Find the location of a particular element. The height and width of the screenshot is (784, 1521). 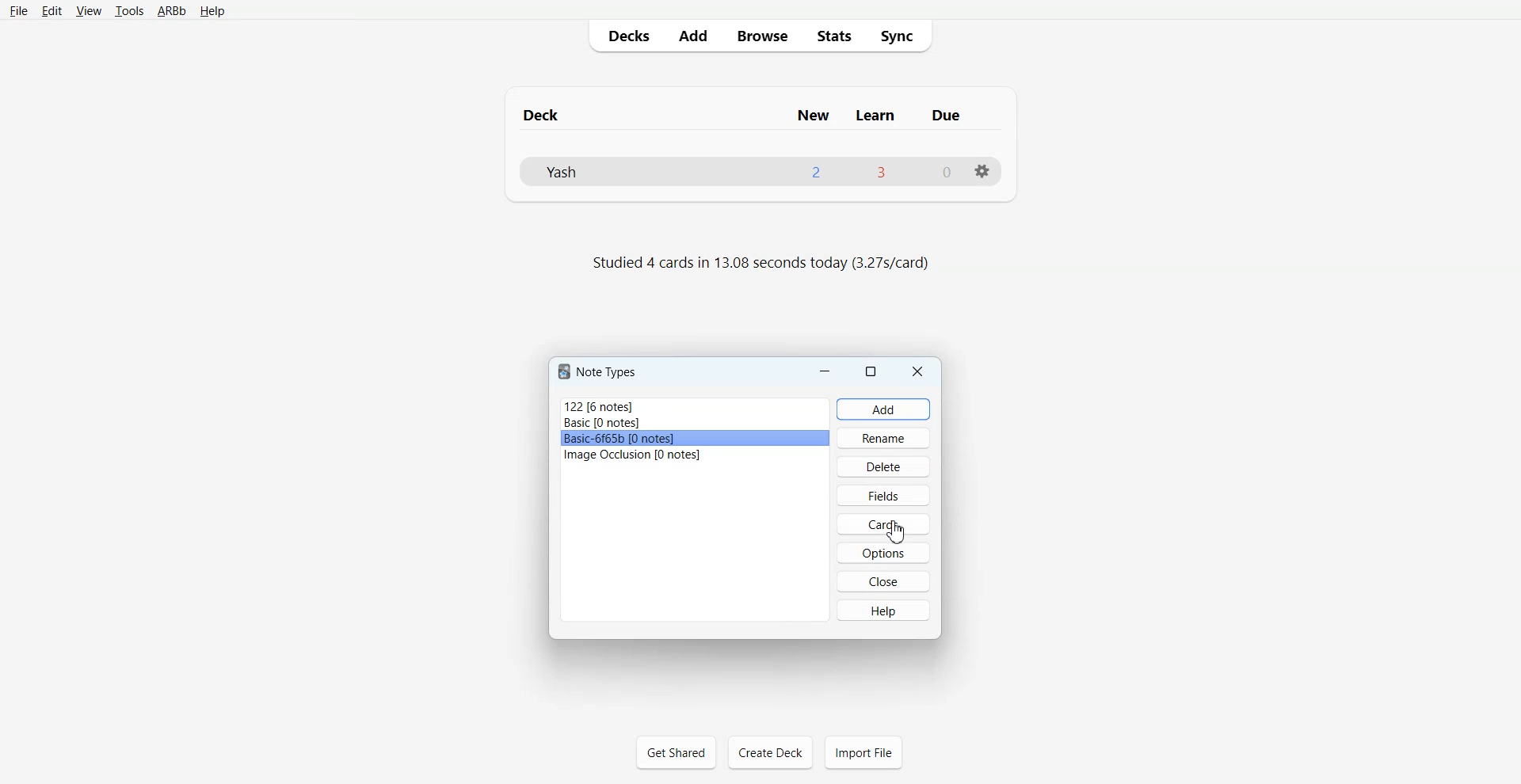

Decks is located at coordinates (625, 36).